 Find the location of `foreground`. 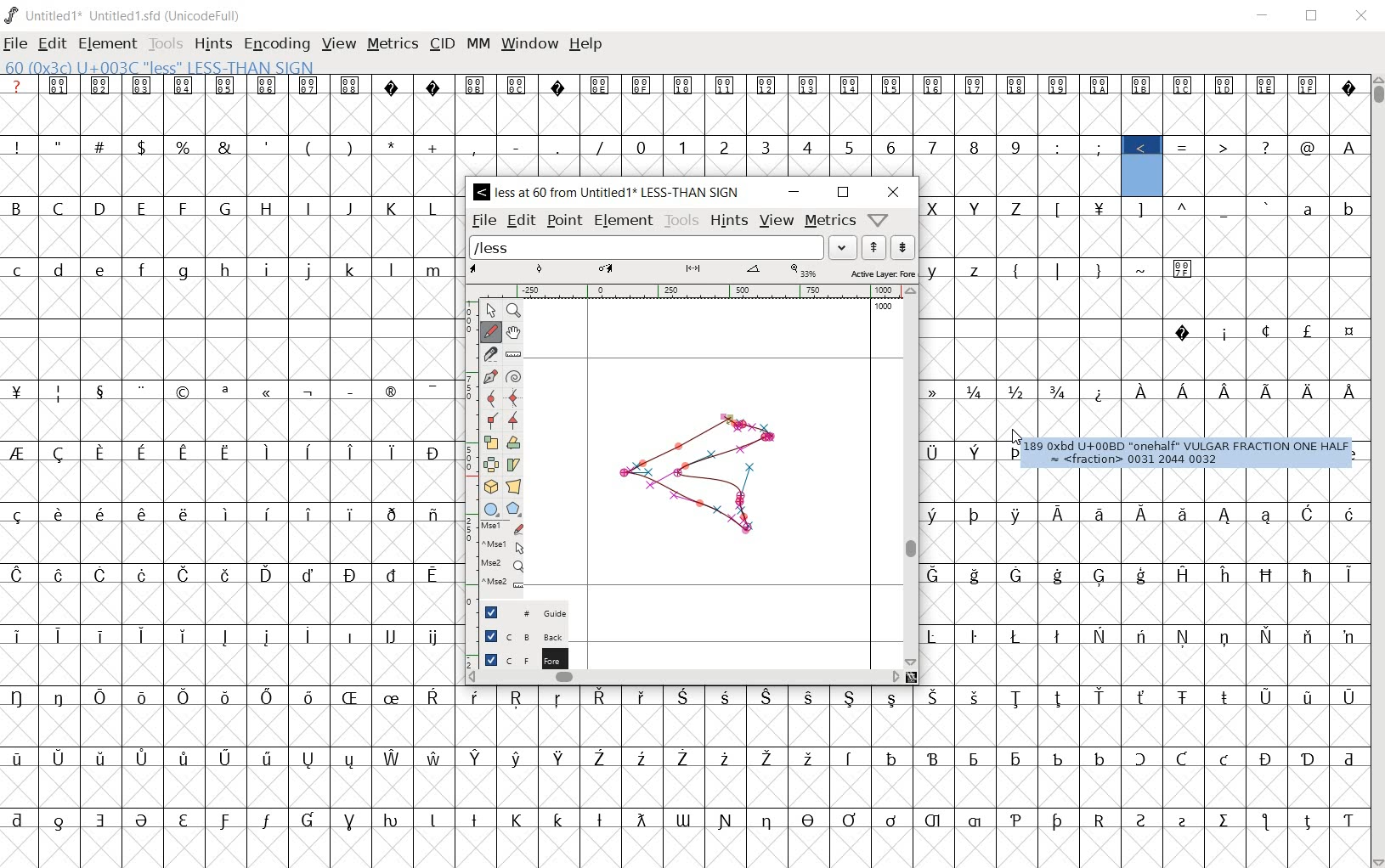

foreground is located at coordinates (517, 656).